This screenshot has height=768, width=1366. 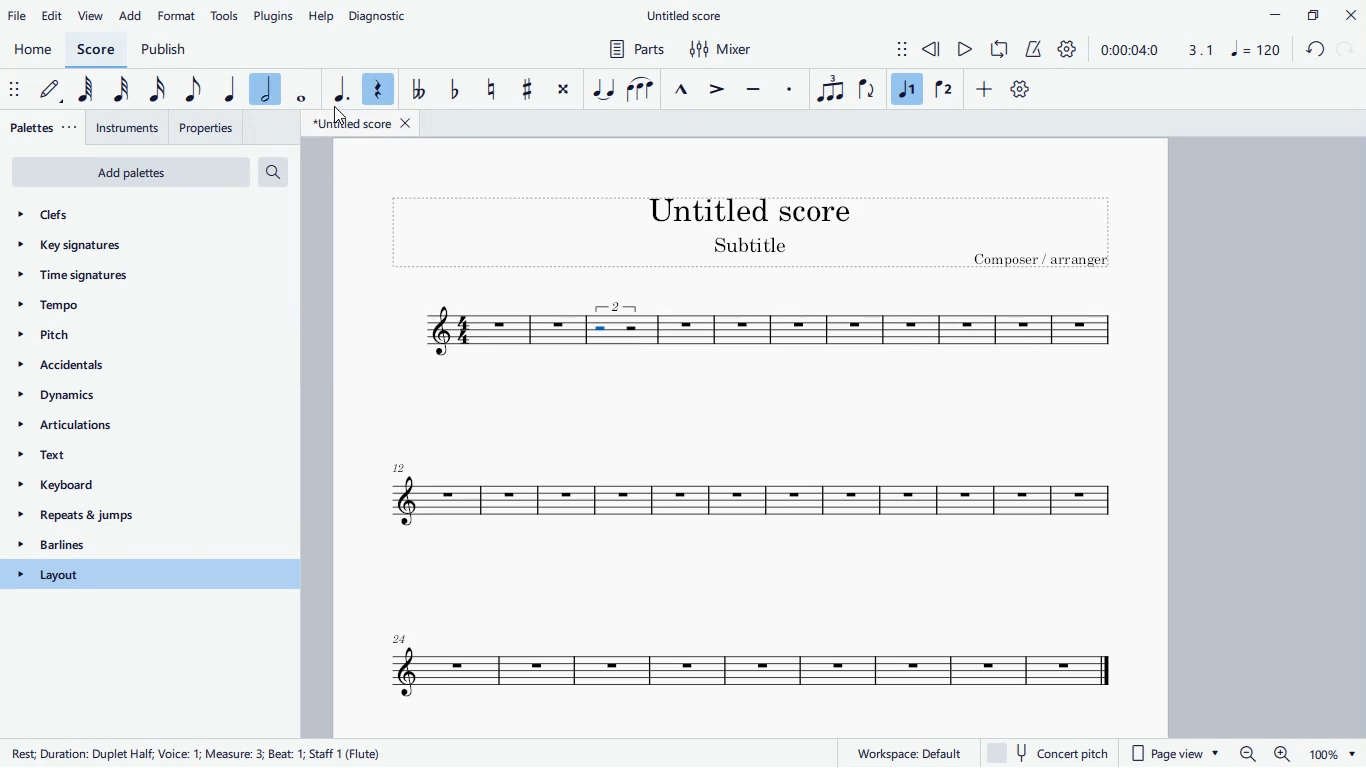 I want to click on score, so click(x=99, y=49).